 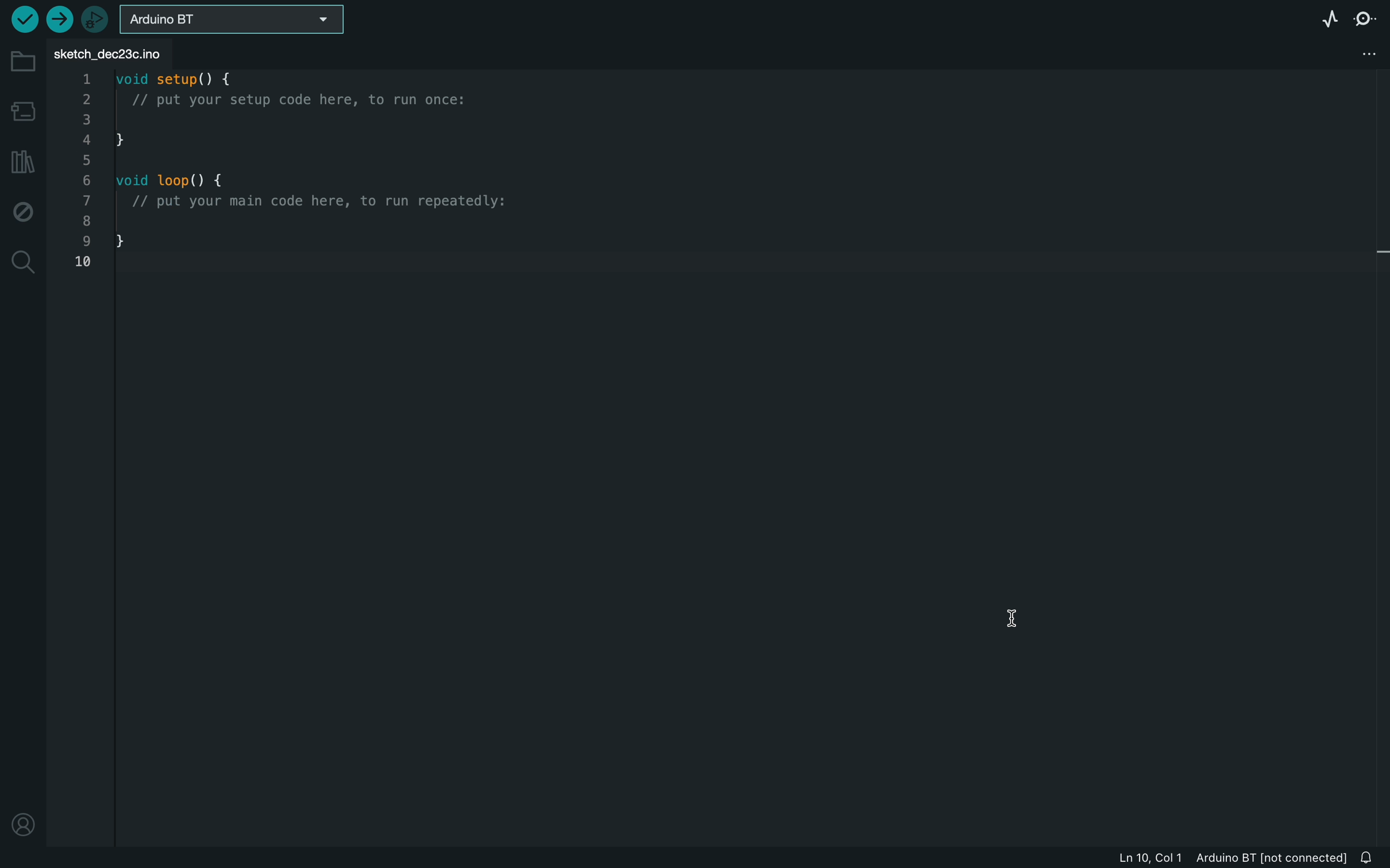 What do you see at coordinates (1368, 857) in the screenshot?
I see `notification` at bounding box center [1368, 857].